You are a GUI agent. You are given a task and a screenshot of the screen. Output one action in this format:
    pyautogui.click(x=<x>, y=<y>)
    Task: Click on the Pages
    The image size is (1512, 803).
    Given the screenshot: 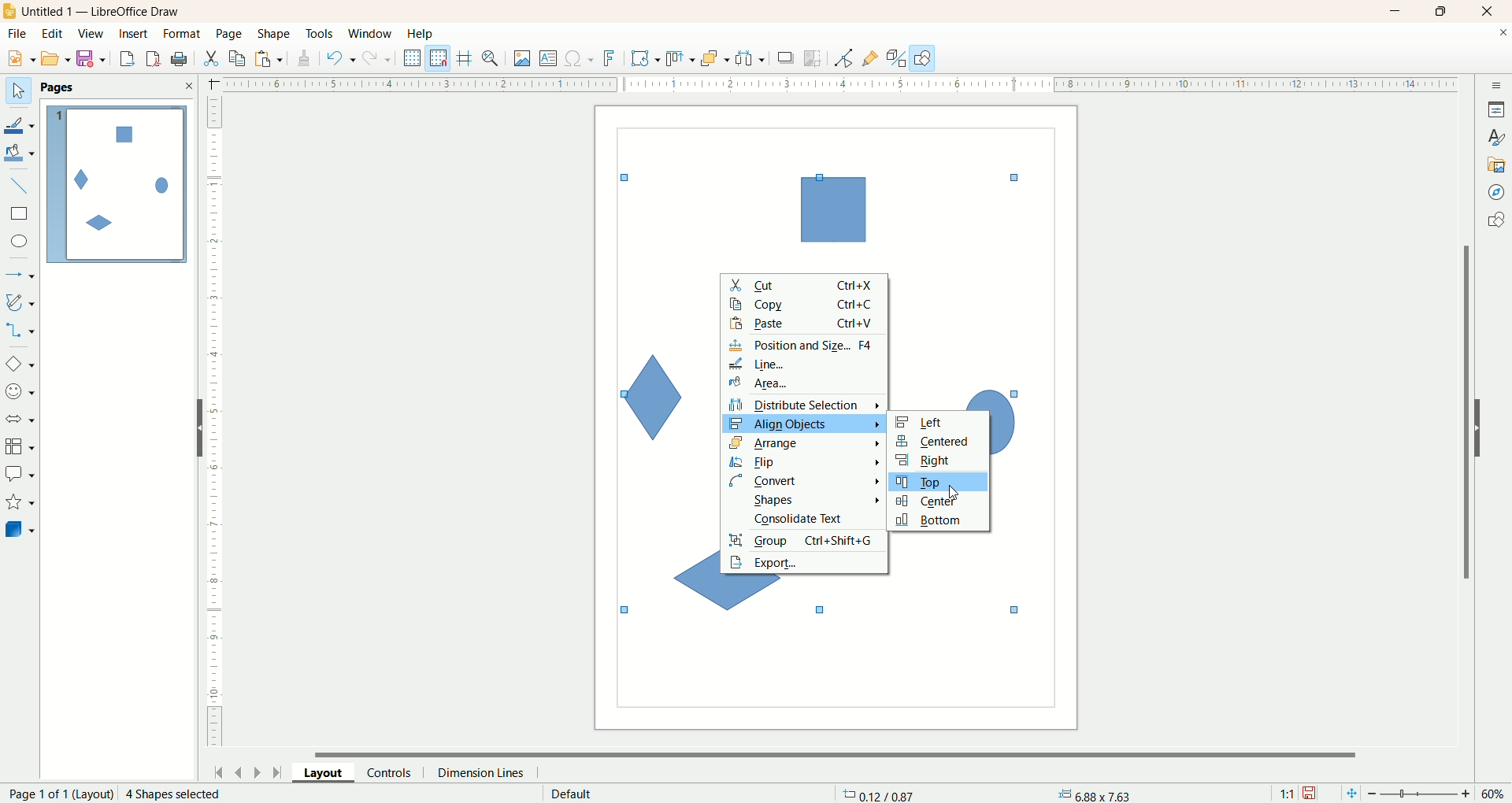 What is the action you would take?
    pyautogui.click(x=61, y=88)
    